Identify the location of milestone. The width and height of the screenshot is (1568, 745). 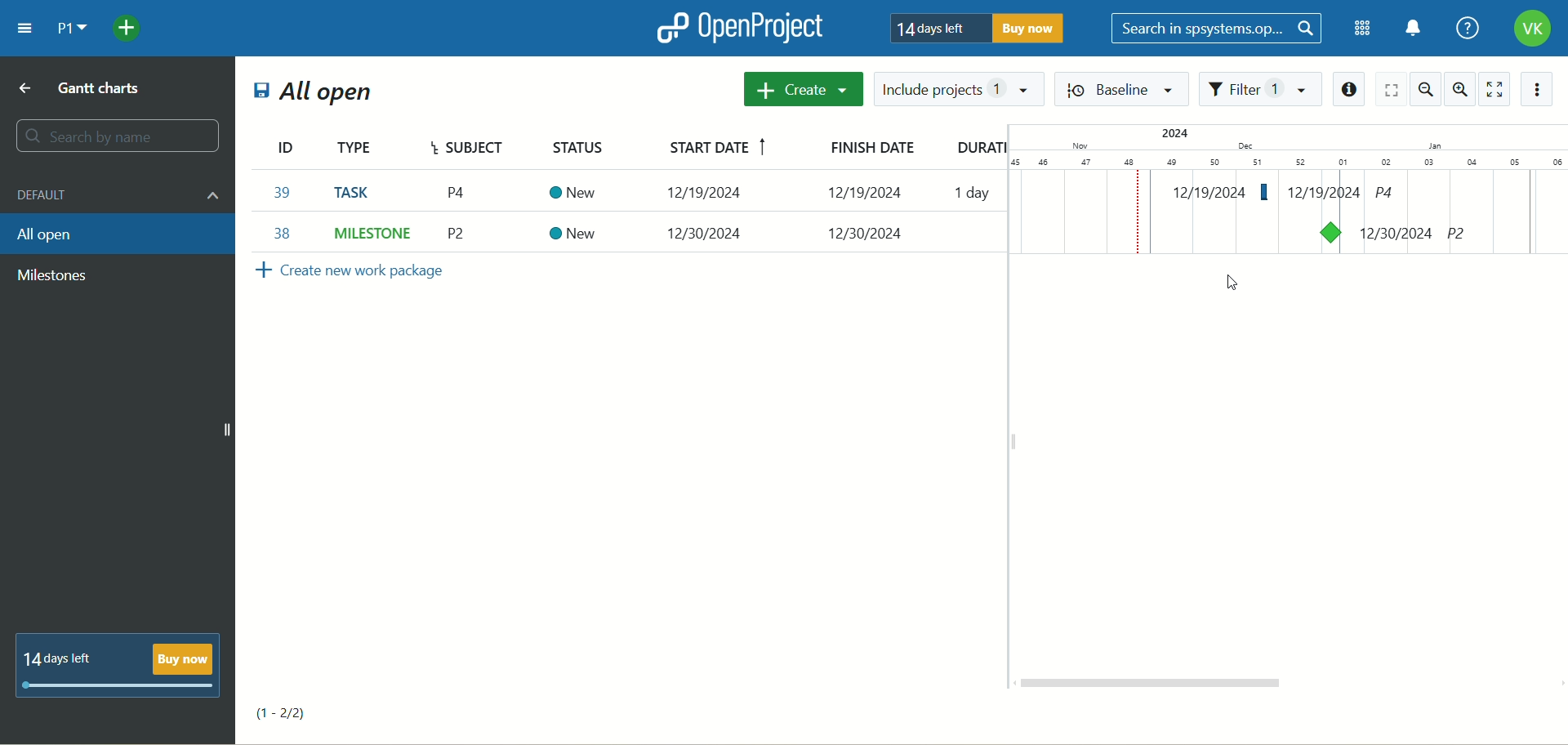
(51, 275).